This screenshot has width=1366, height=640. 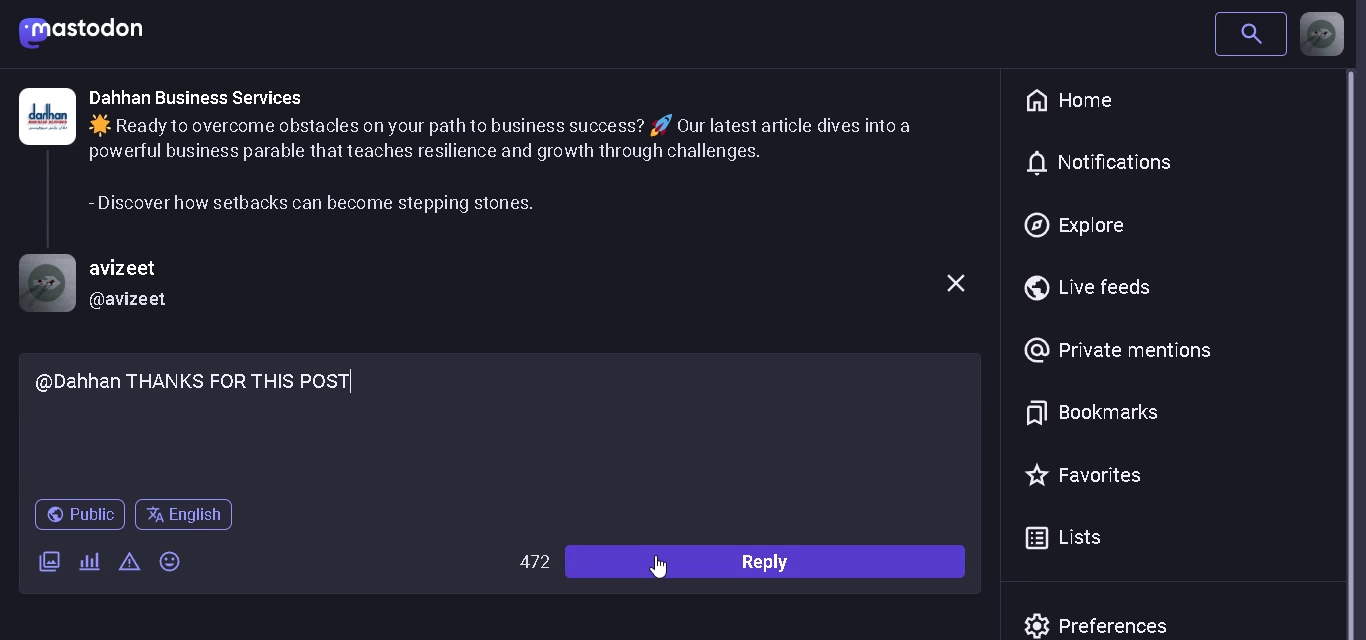 What do you see at coordinates (1067, 539) in the screenshot?
I see `lists` at bounding box center [1067, 539].